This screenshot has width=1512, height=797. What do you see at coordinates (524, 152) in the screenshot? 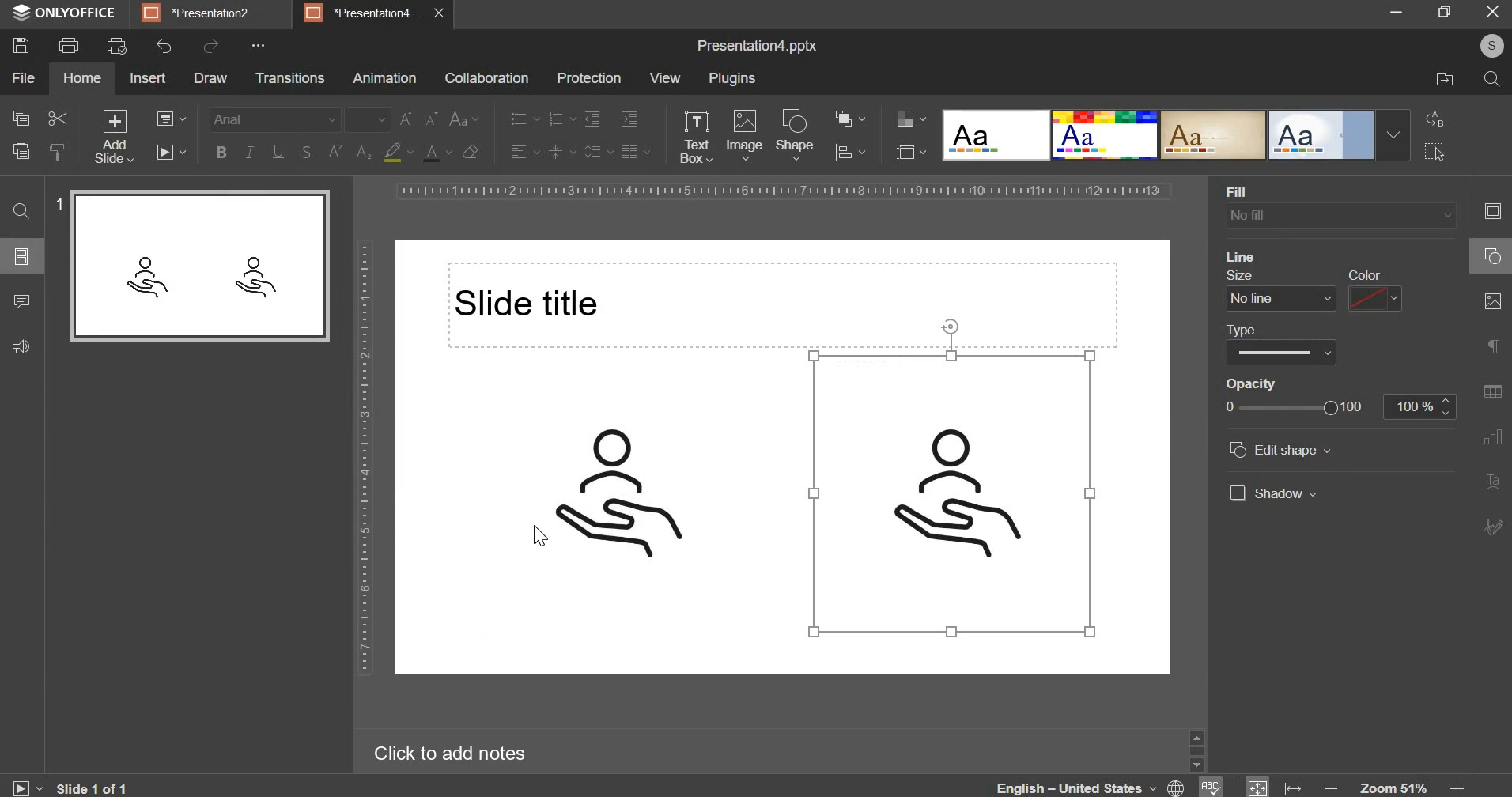
I see `horizontal alignment` at bounding box center [524, 152].